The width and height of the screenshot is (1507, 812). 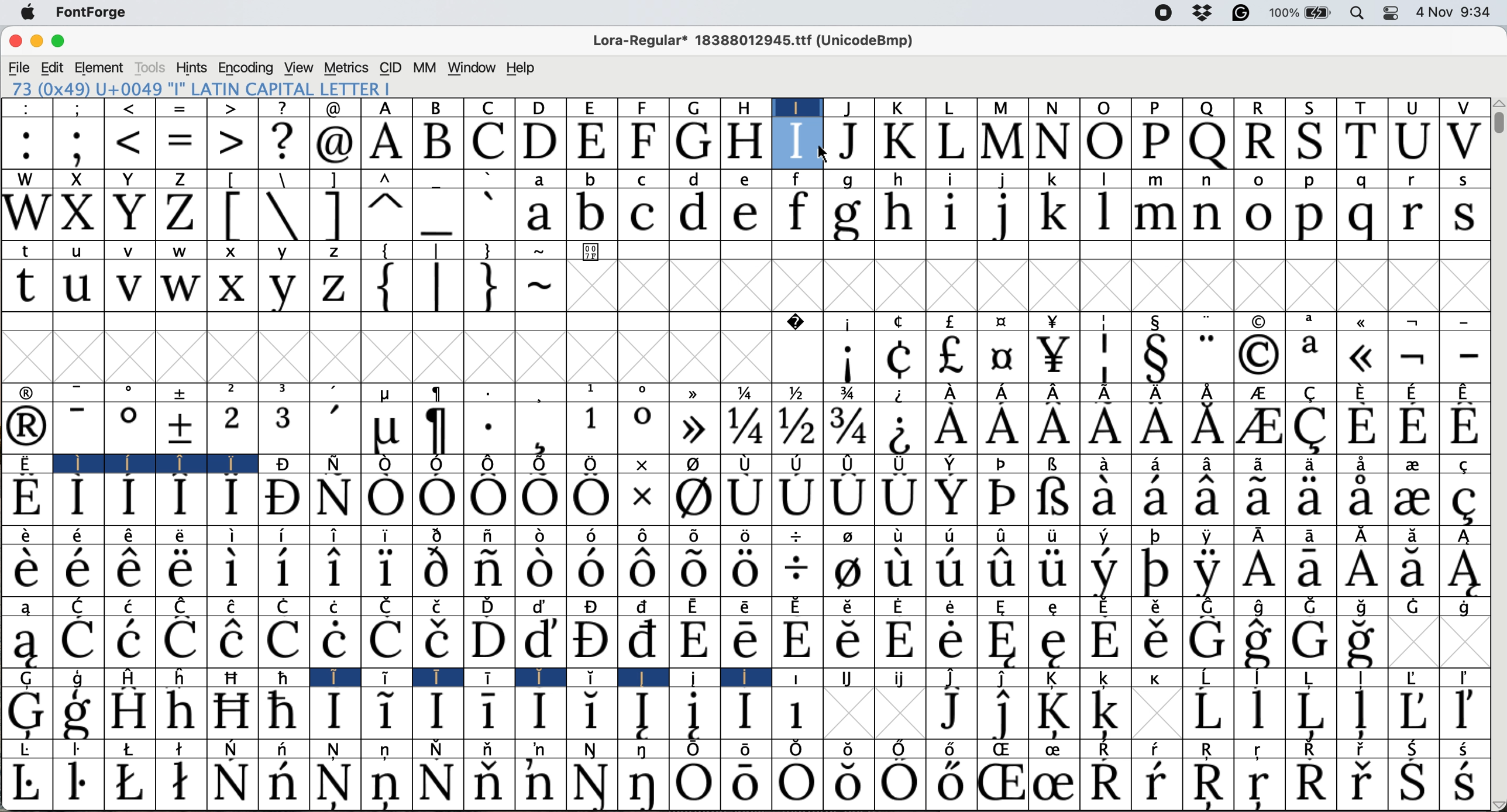 I want to click on symbol, so click(x=1109, y=391).